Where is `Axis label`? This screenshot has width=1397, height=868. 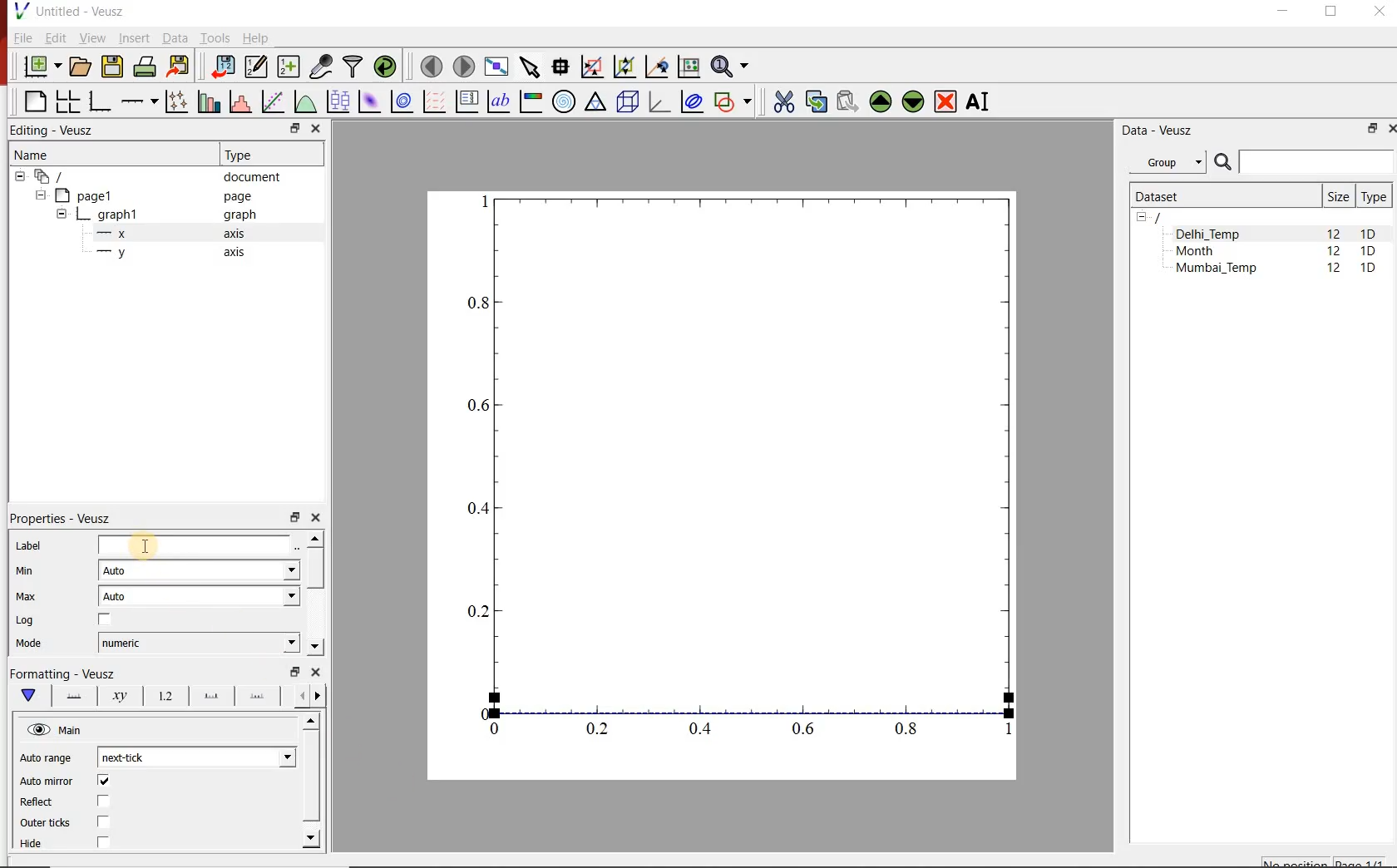 Axis label is located at coordinates (116, 696).